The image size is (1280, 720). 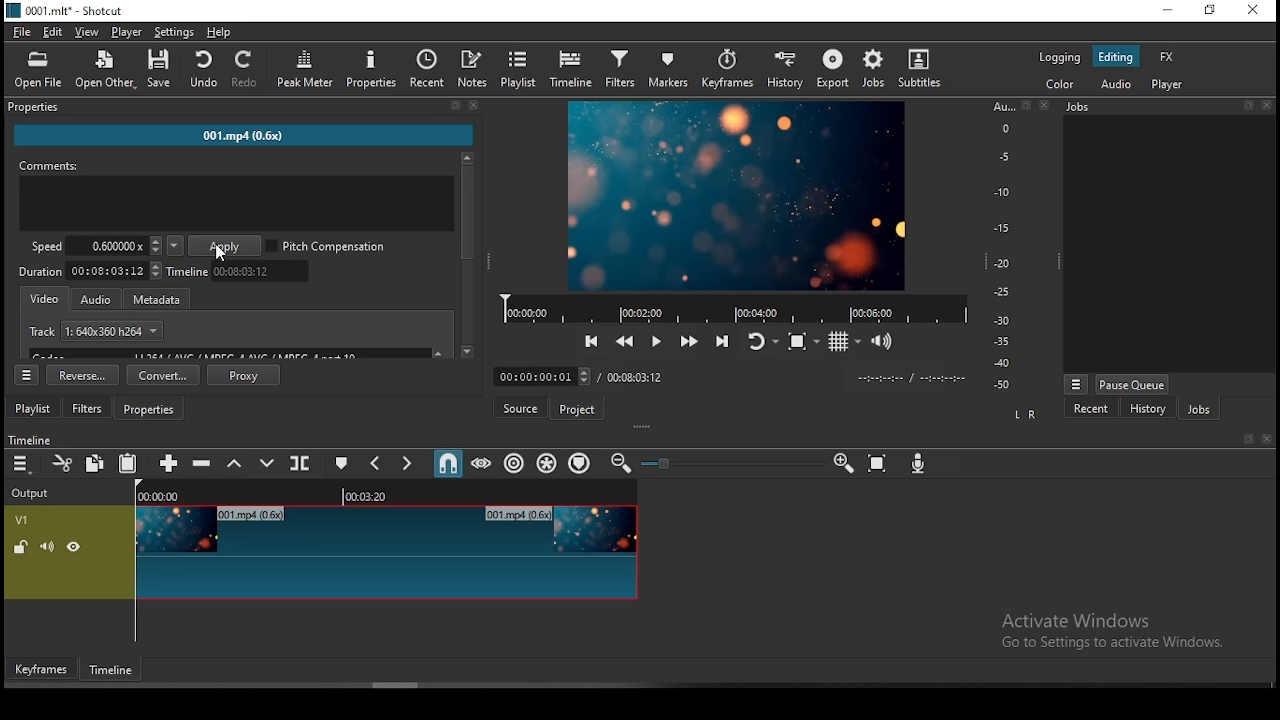 I want to click on jobs, so click(x=871, y=71).